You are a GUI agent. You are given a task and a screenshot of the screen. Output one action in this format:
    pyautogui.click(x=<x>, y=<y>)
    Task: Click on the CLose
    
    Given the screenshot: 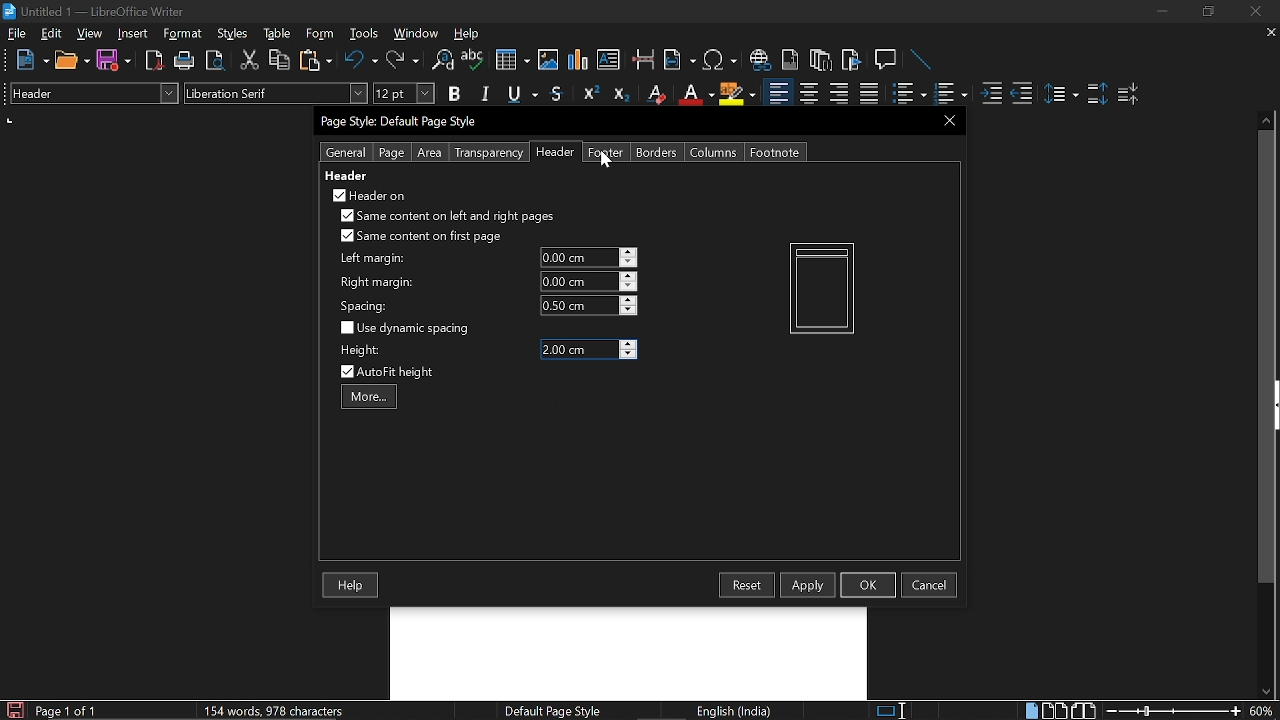 What is the action you would take?
    pyautogui.click(x=947, y=120)
    